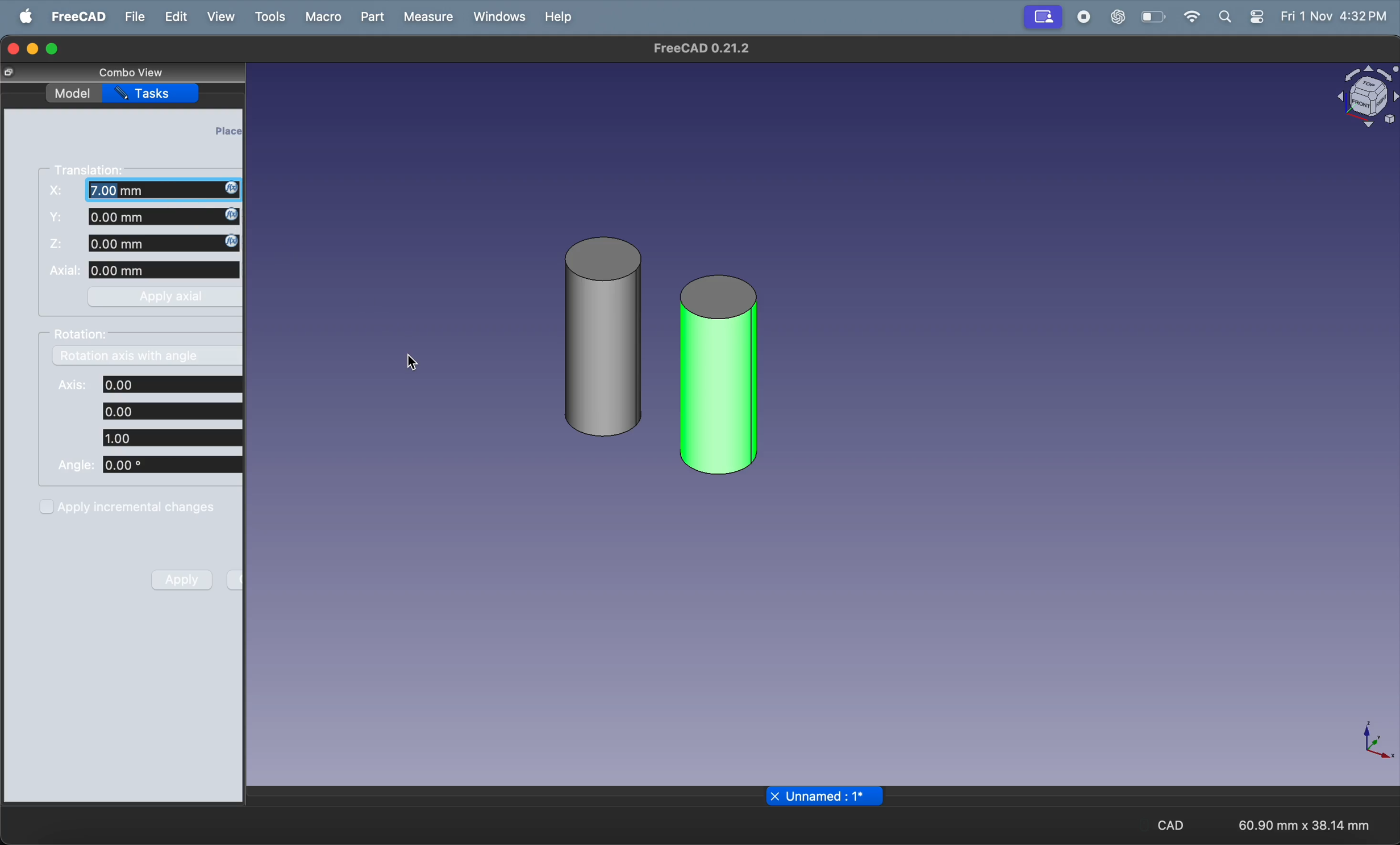 The height and width of the screenshot is (845, 1400). Describe the element at coordinates (1039, 17) in the screenshot. I see `stop` at that location.